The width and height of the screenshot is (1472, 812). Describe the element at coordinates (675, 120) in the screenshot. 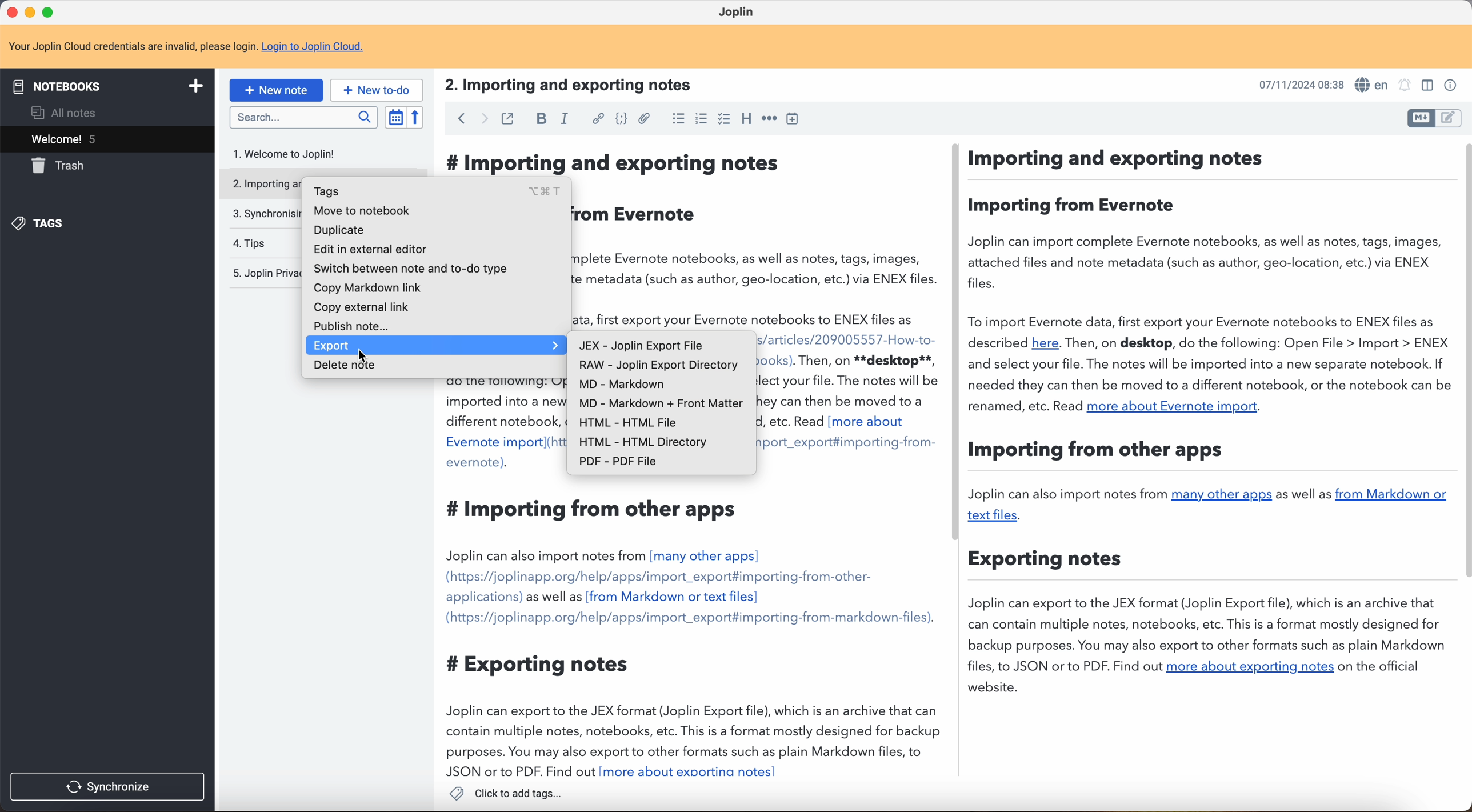

I see `bulleted list` at that location.